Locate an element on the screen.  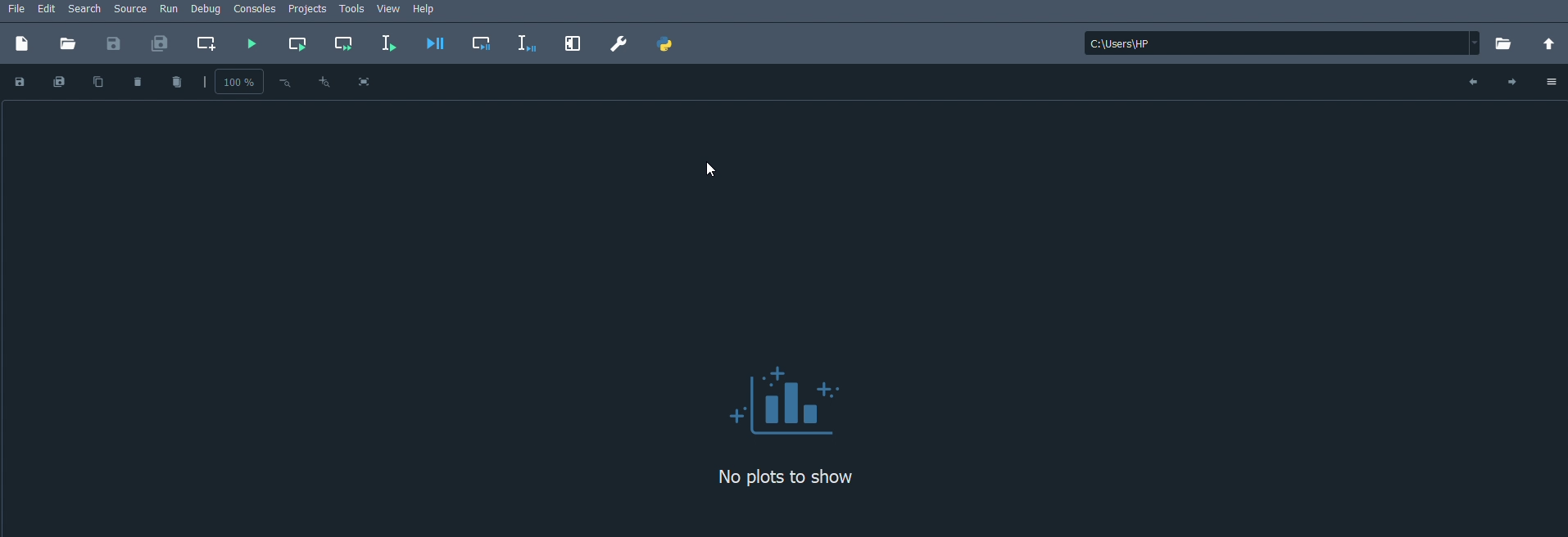
more options is located at coordinates (1552, 81).